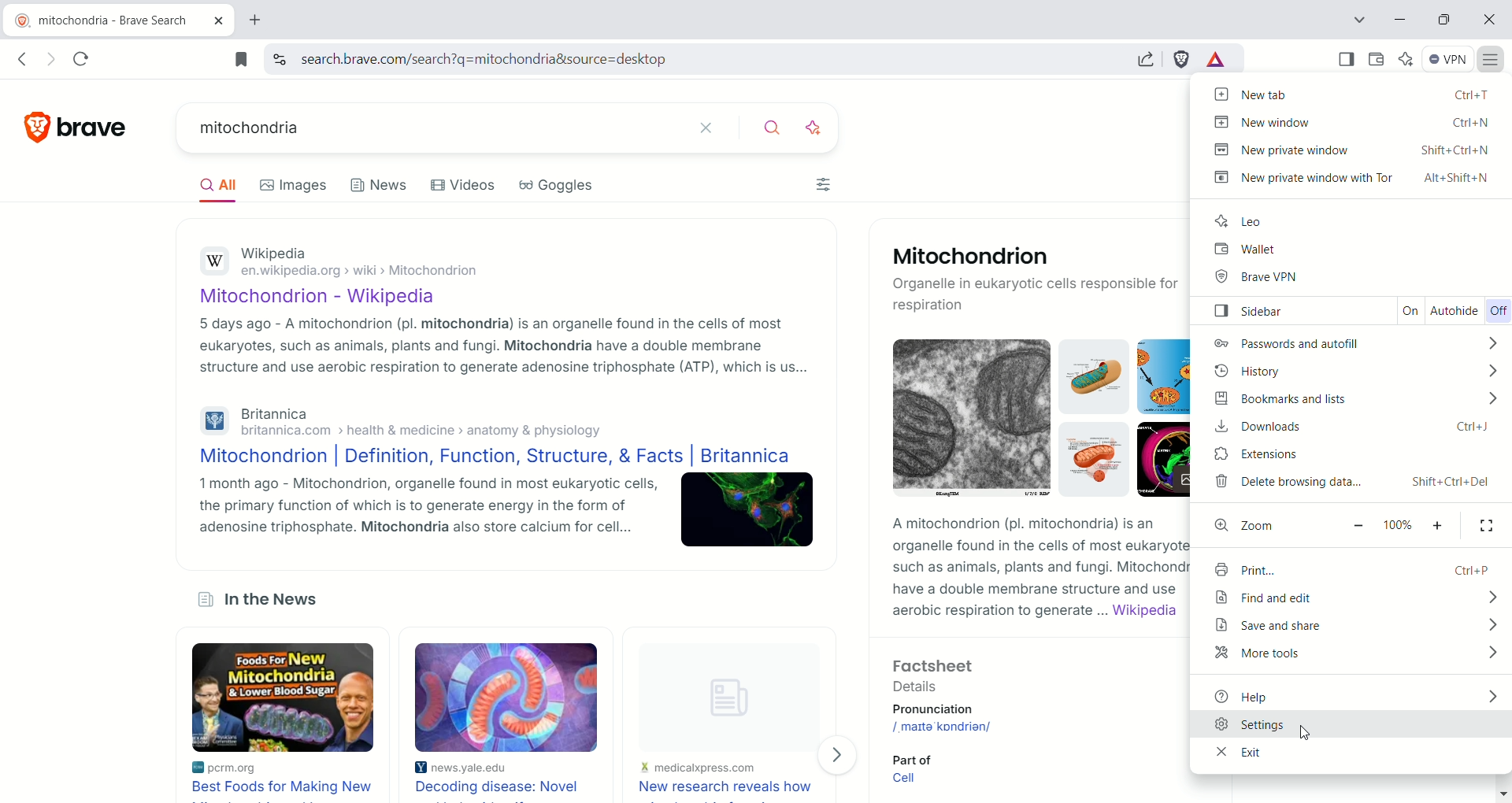 The height and width of the screenshot is (803, 1512). I want to click on off, so click(1496, 313).